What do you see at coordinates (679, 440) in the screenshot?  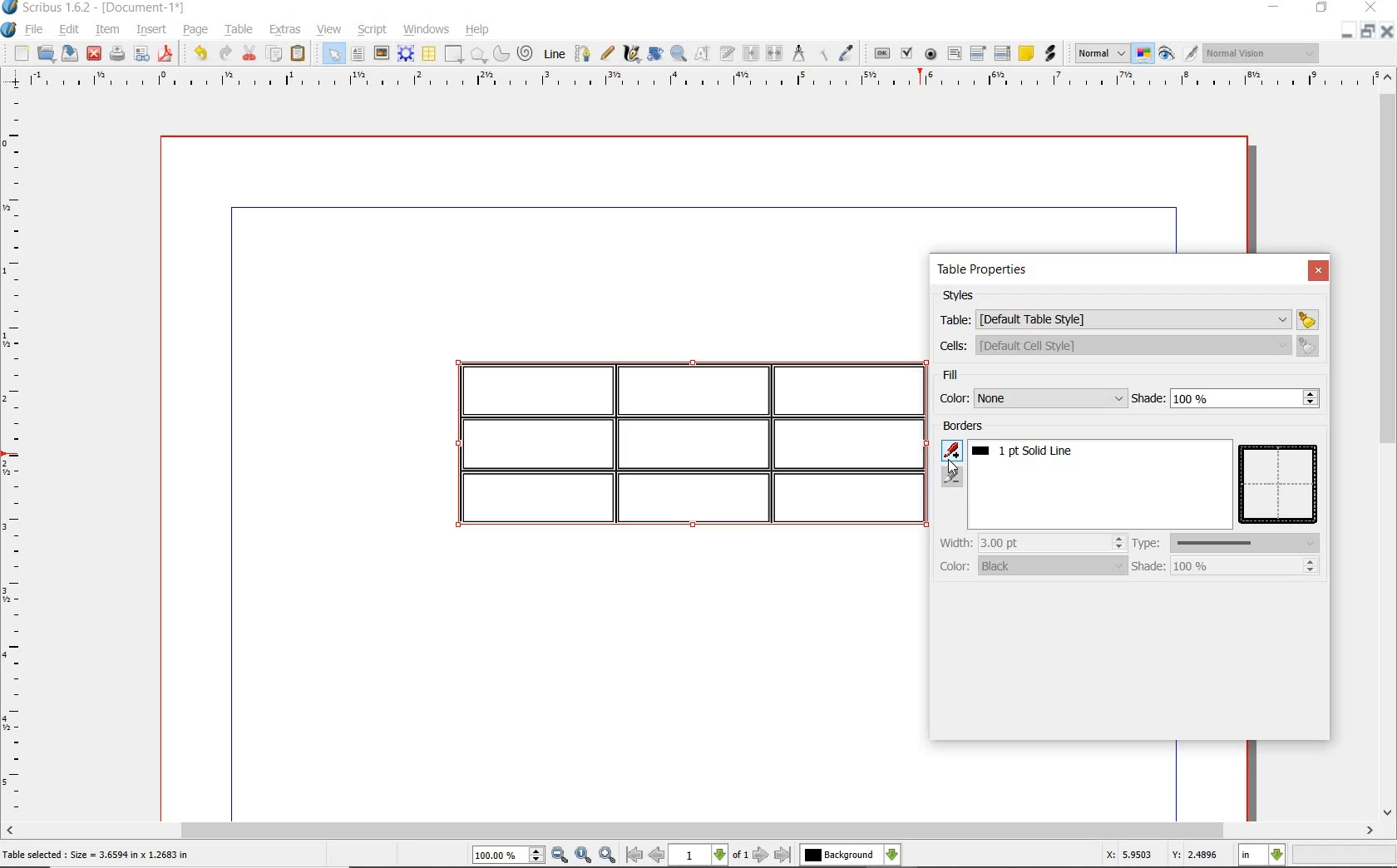 I see `table highlighted` at bounding box center [679, 440].